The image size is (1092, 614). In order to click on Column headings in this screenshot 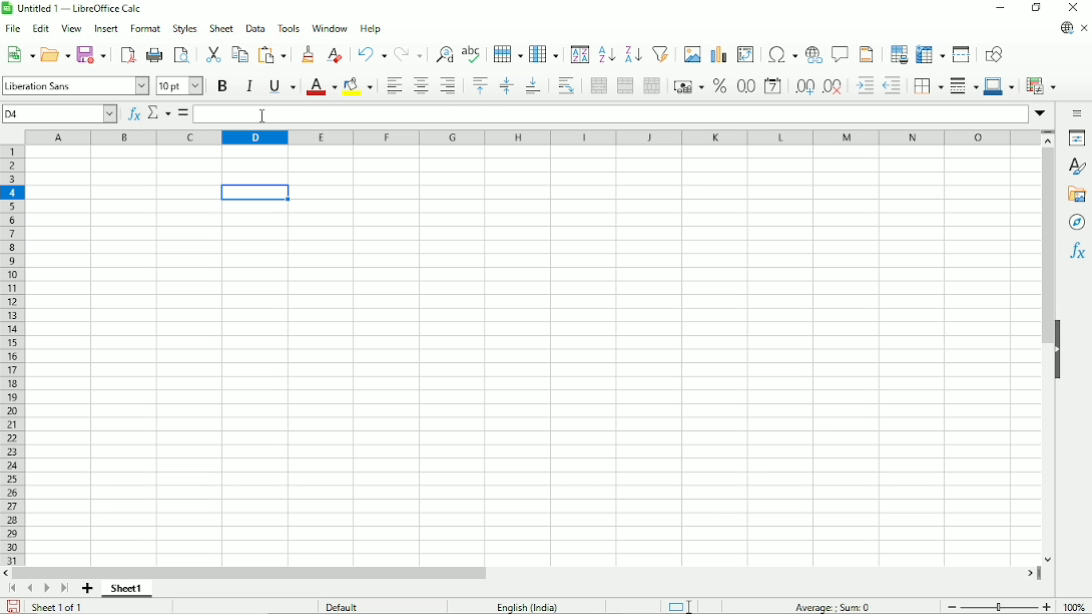, I will do `click(530, 137)`.